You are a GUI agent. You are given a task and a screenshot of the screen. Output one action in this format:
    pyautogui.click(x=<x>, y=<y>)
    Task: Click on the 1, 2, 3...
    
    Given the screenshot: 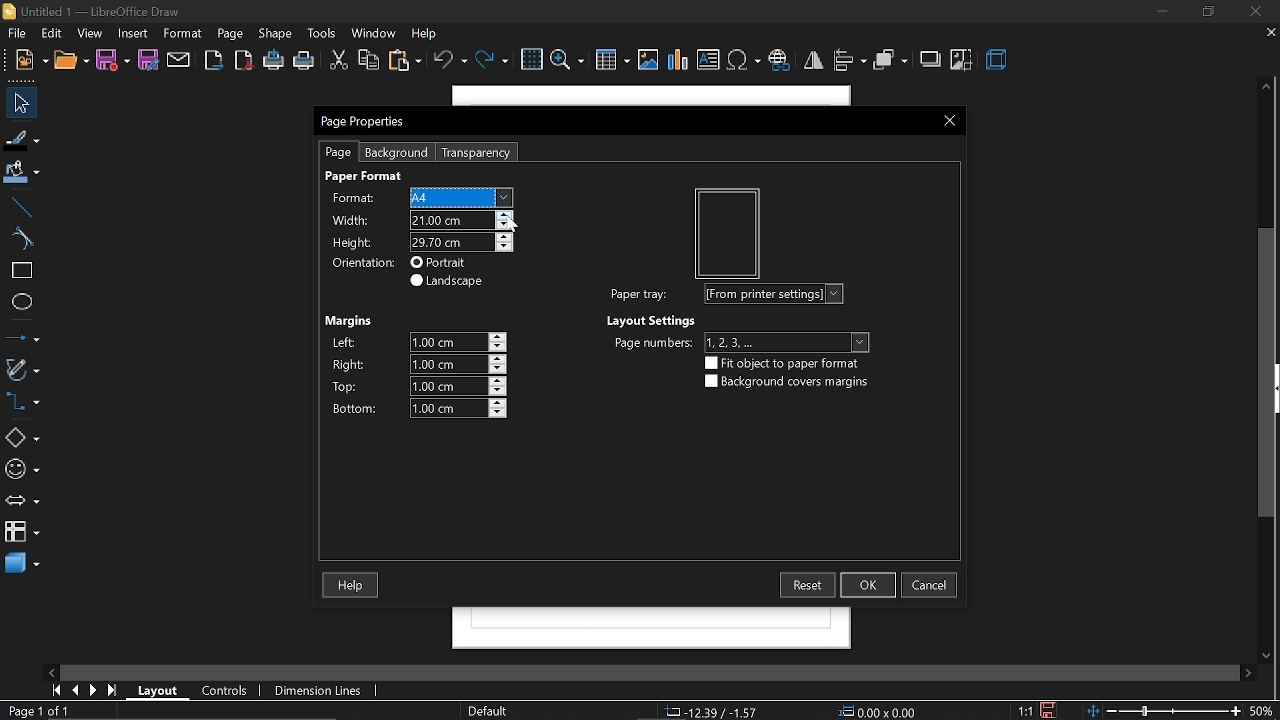 What is the action you would take?
    pyautogui.click(x=786, y=342)
    